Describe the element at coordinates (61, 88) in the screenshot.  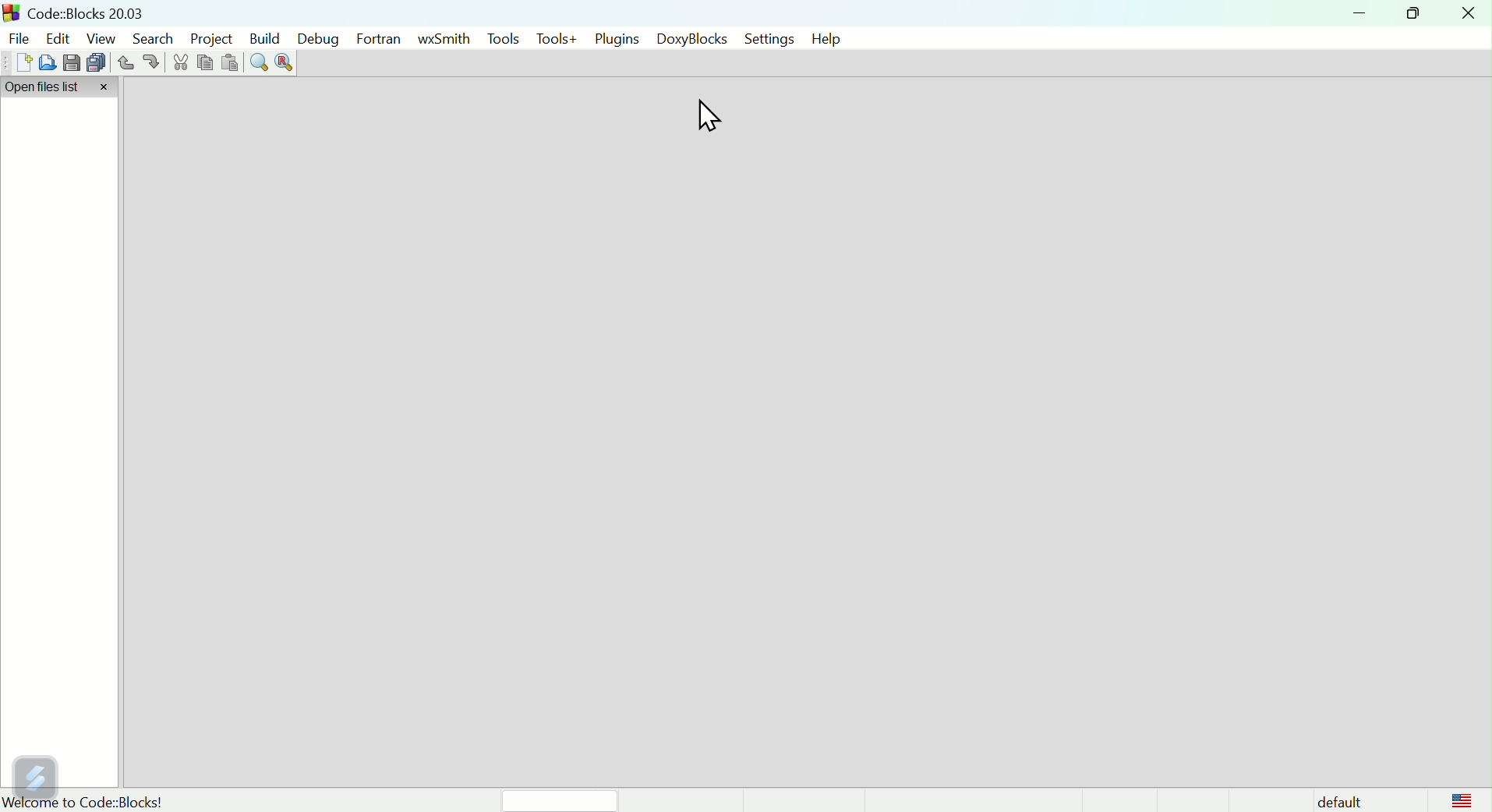
I see `Open file list` at that location.